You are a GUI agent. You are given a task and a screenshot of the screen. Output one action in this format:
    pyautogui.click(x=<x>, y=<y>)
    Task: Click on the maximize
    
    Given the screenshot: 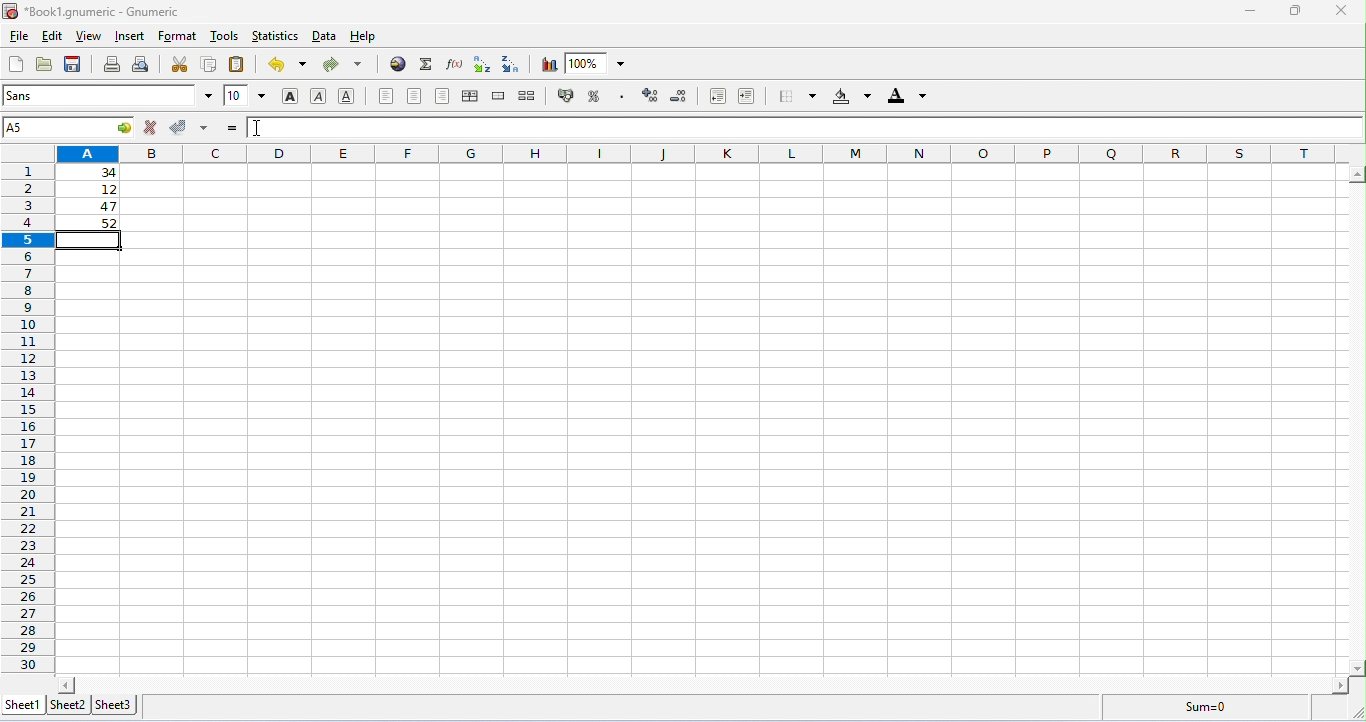 What is the action you would take?
    pyautogui.click(x=1298, y=11)
    